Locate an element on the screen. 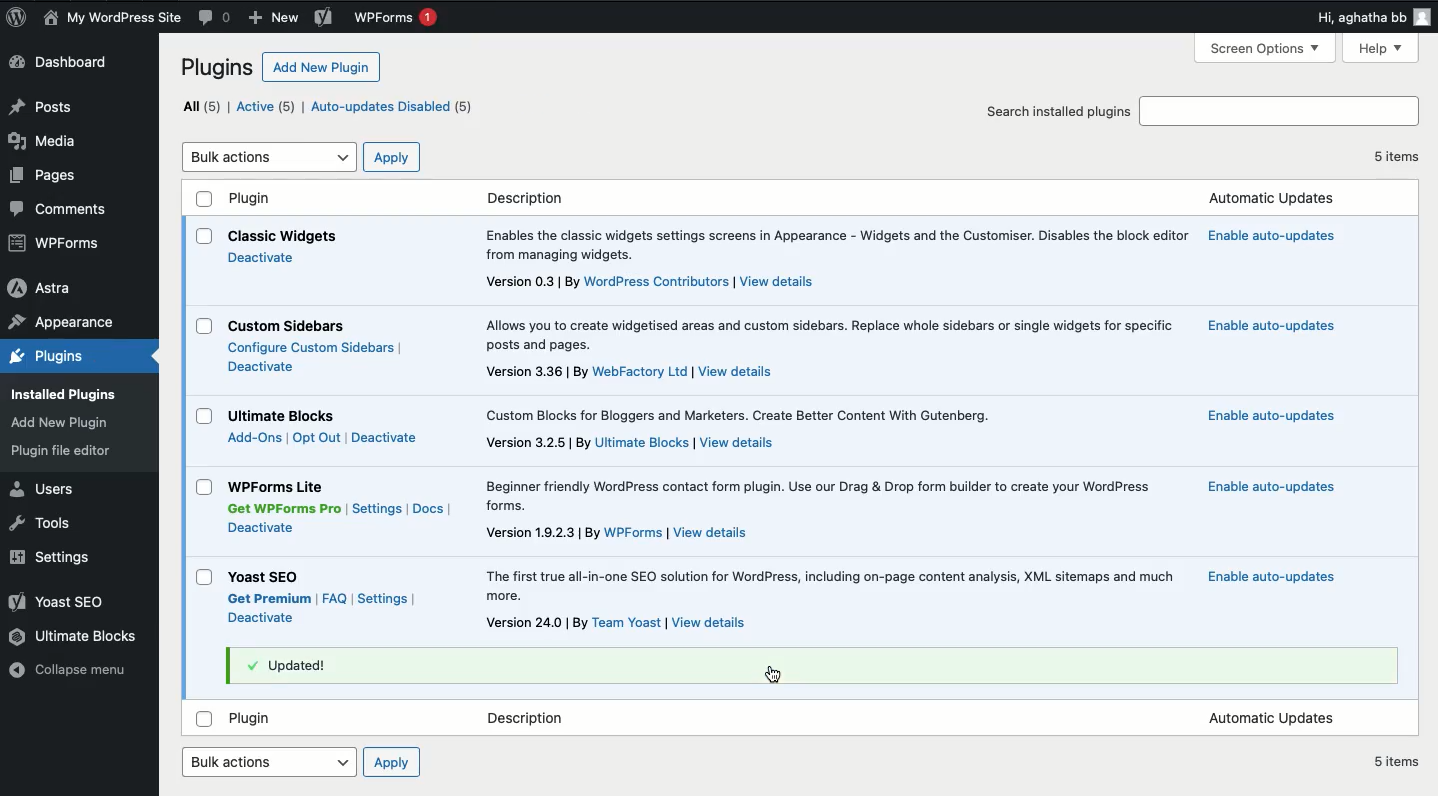 The height and width of the screenshot is (796, 1438). Checkbox is located at coordinates (204, 487).